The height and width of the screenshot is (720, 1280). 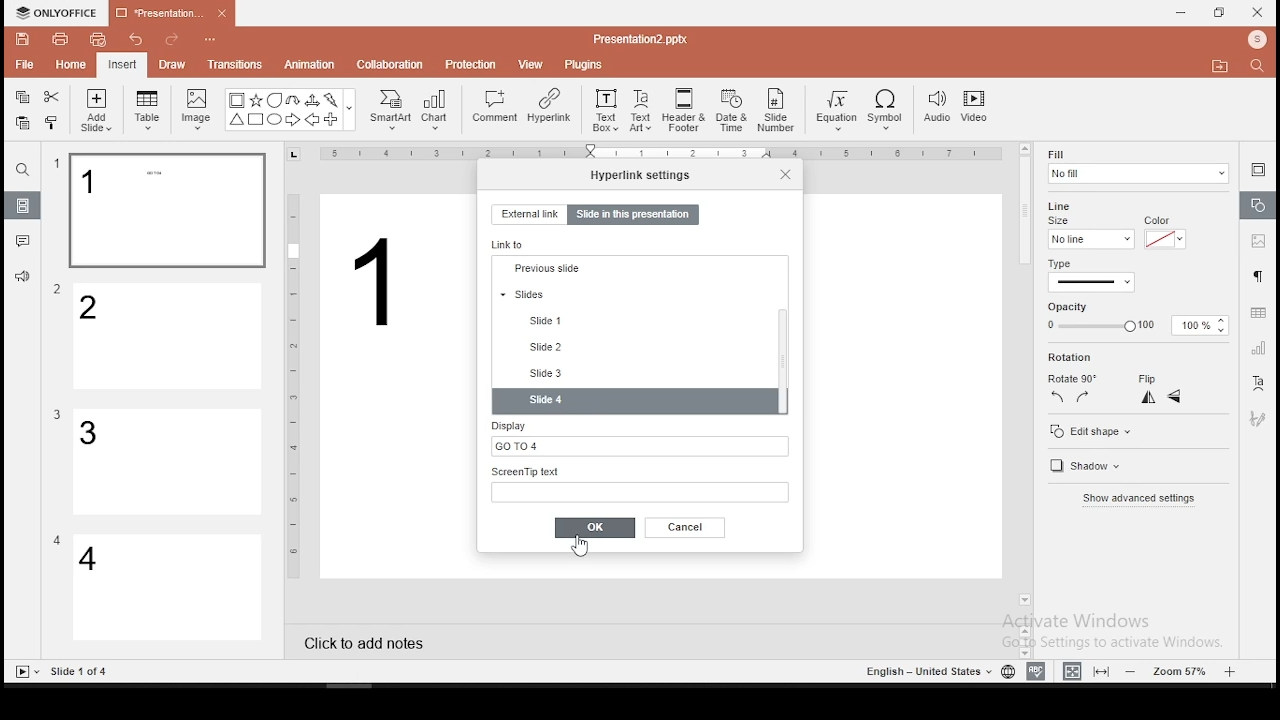 I want to click on equation, so click(x=835, y=111).